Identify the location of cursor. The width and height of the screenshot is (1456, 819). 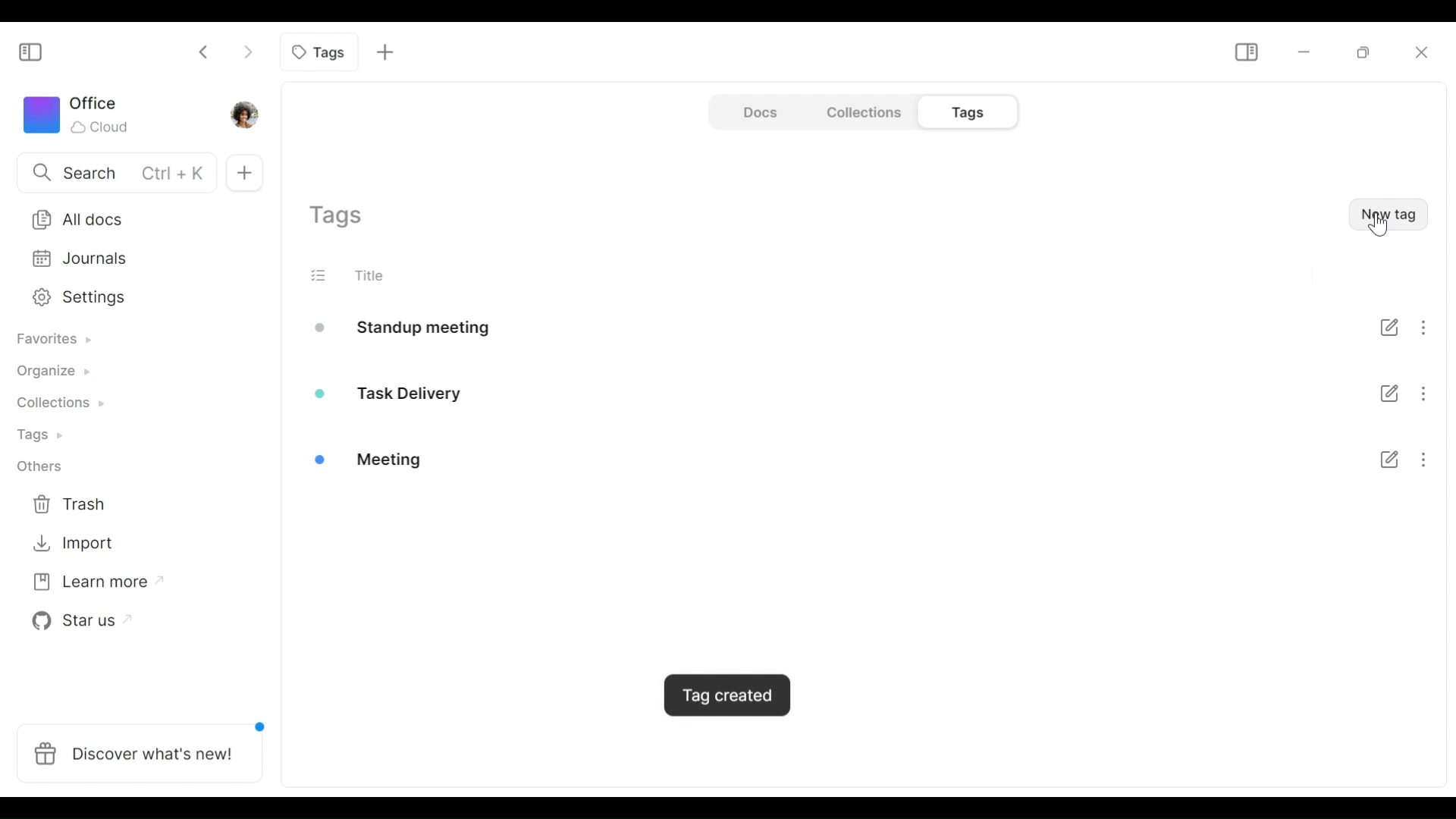
(1379, 231).